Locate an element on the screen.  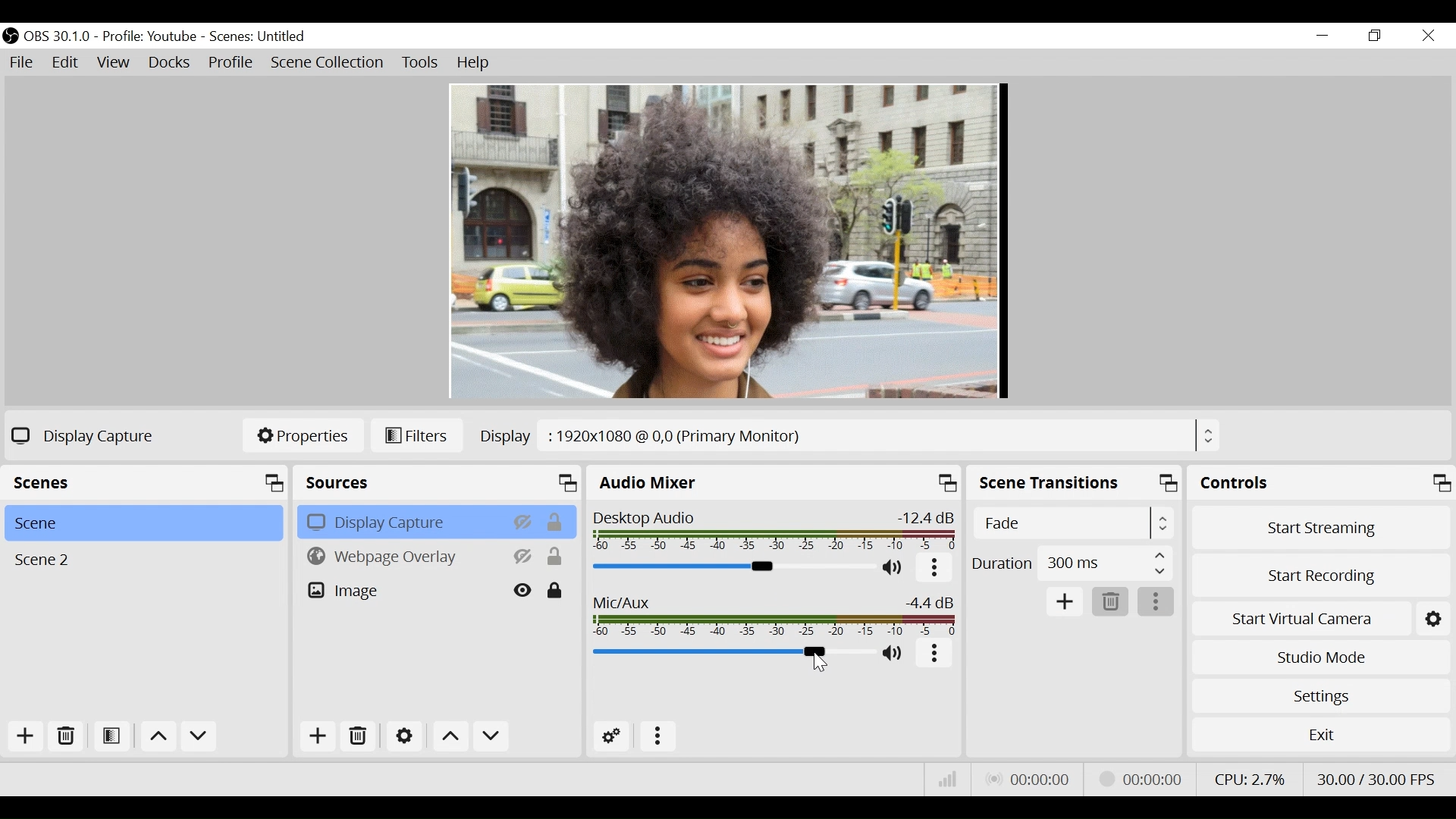
Delete is located at coordinates (1109, 601).